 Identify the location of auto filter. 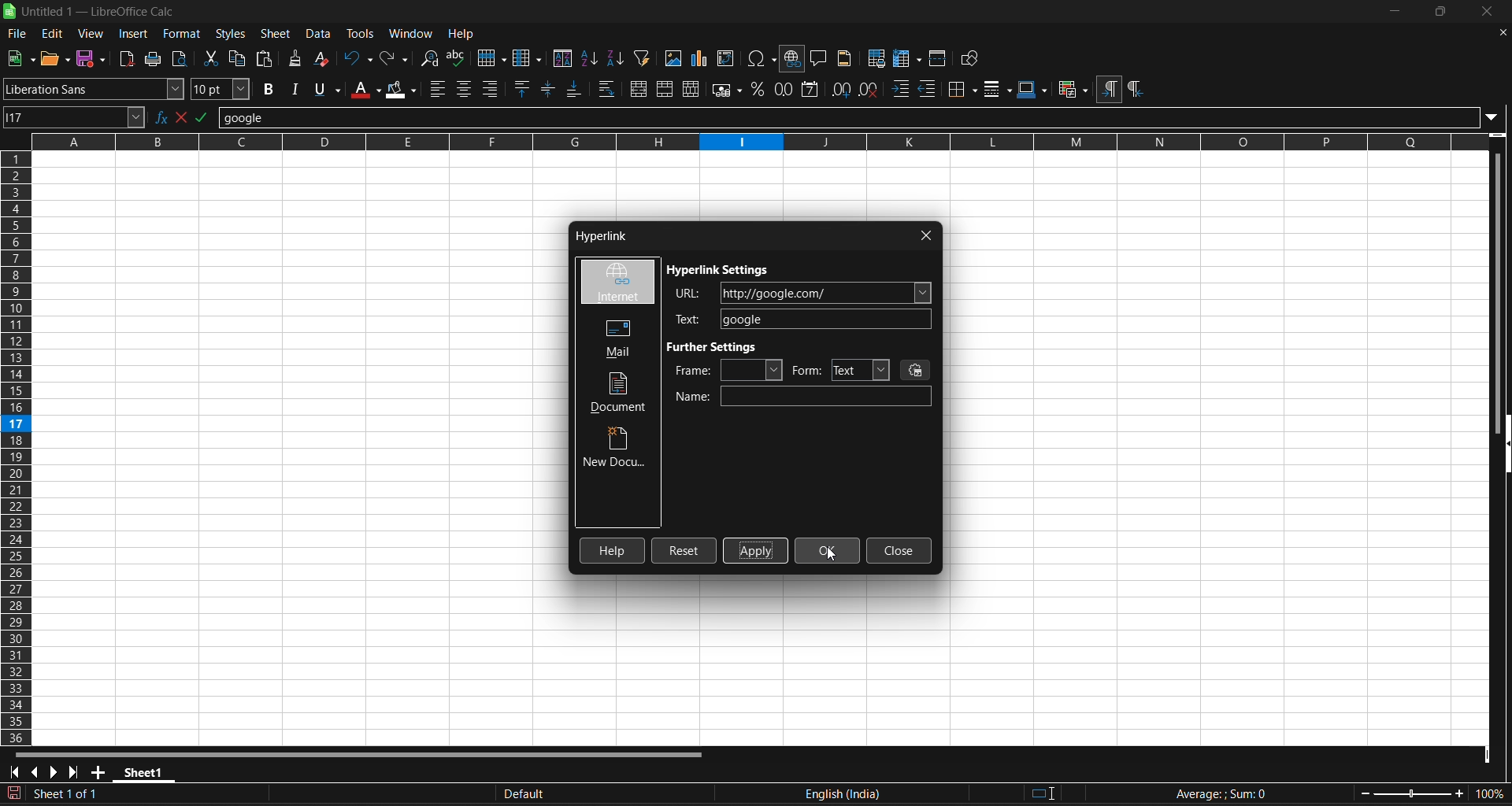
(643, 57).